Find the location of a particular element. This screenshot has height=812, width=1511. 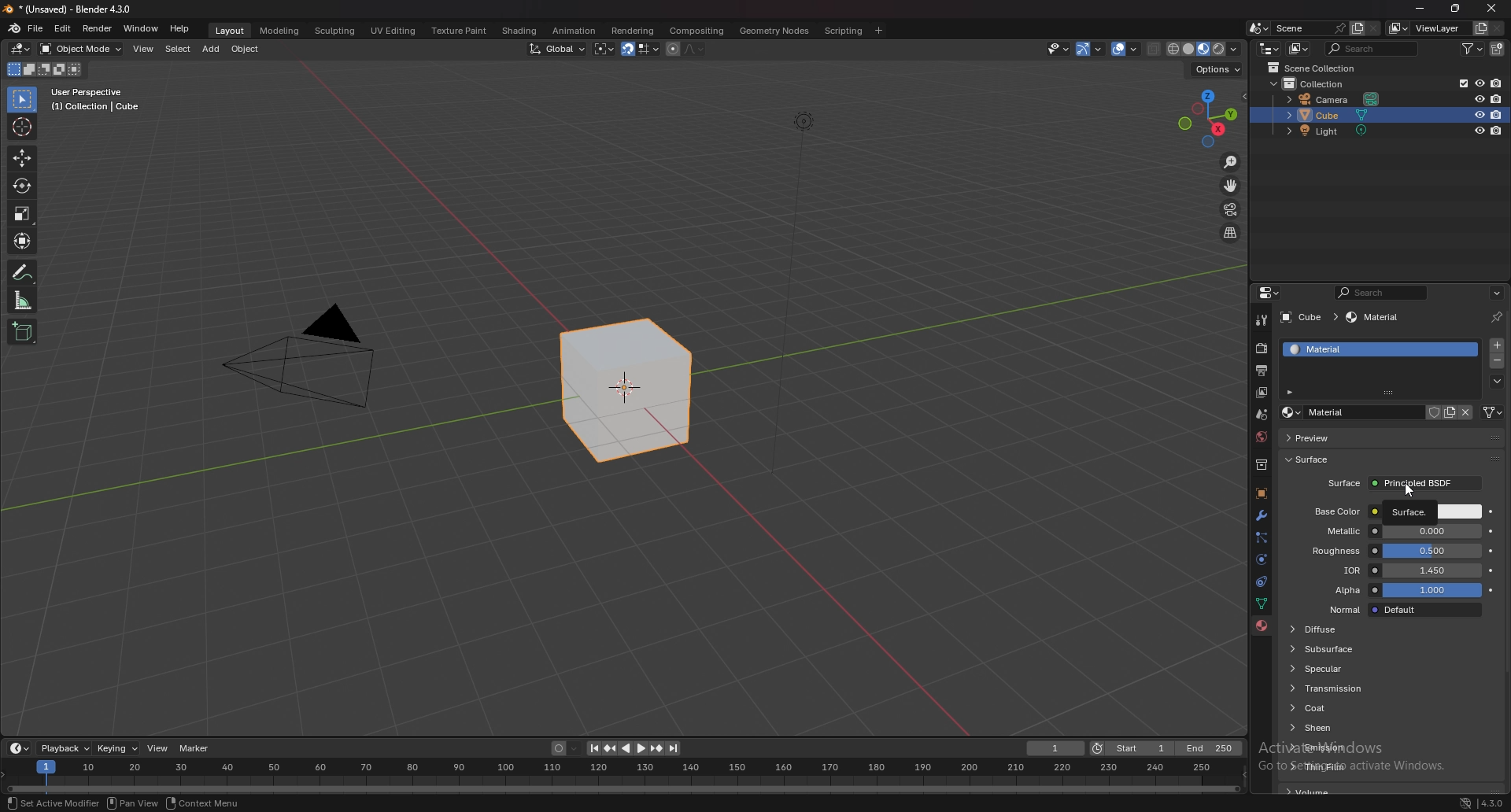

playback is located at coordinates (66, 748).